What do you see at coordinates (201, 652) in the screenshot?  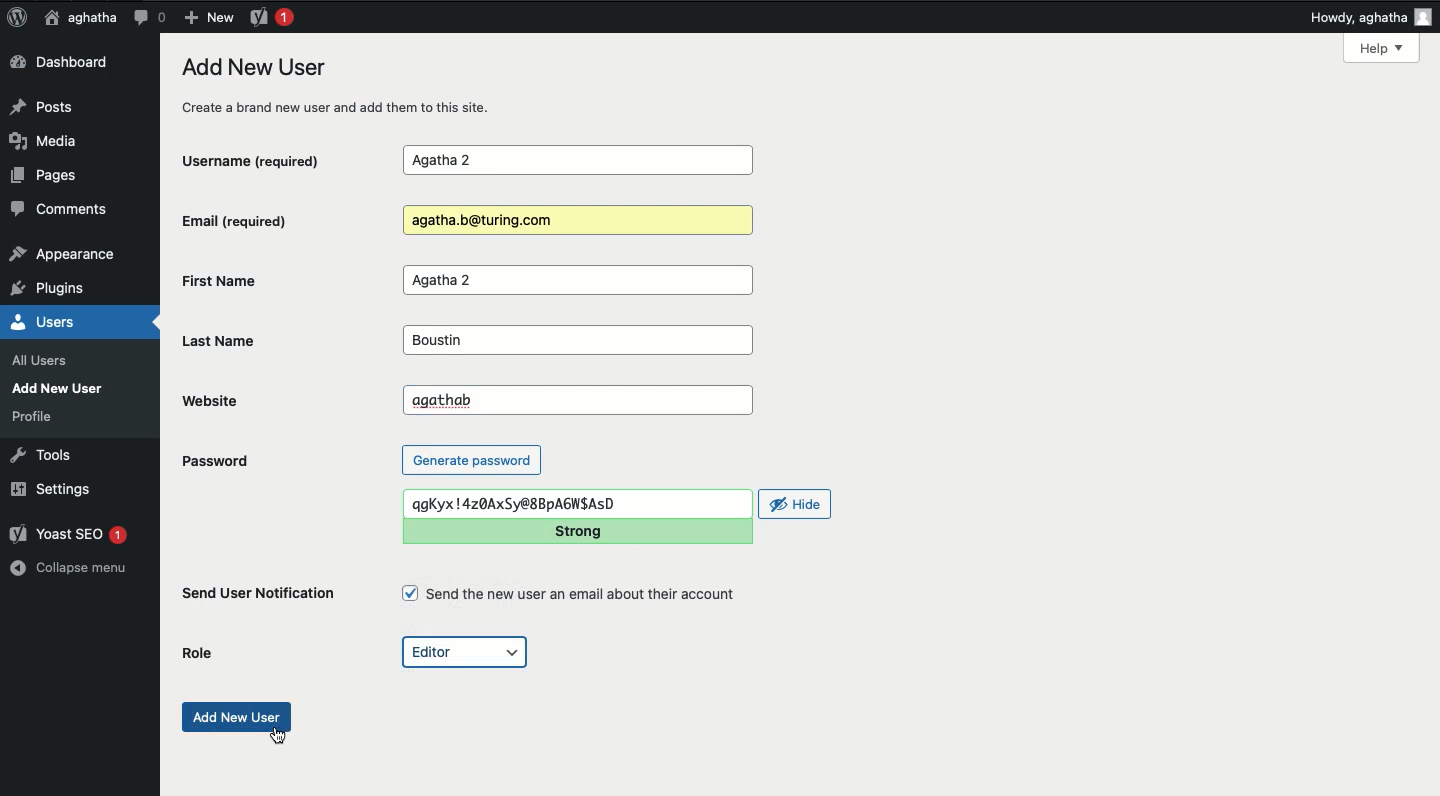 I see `Role` at bounding box center [201, 652].